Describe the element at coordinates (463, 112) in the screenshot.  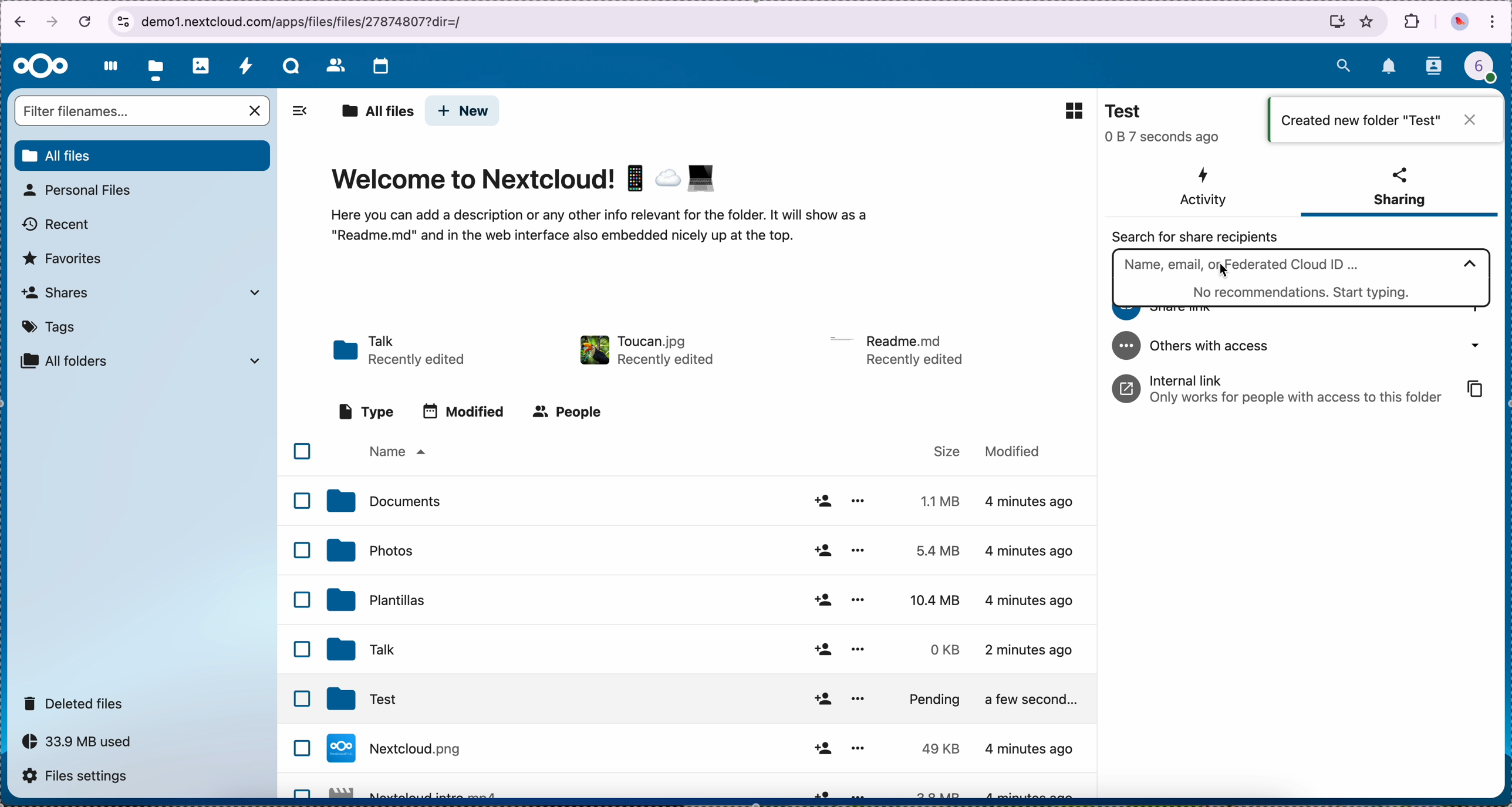
I see `click on new button` at that location.